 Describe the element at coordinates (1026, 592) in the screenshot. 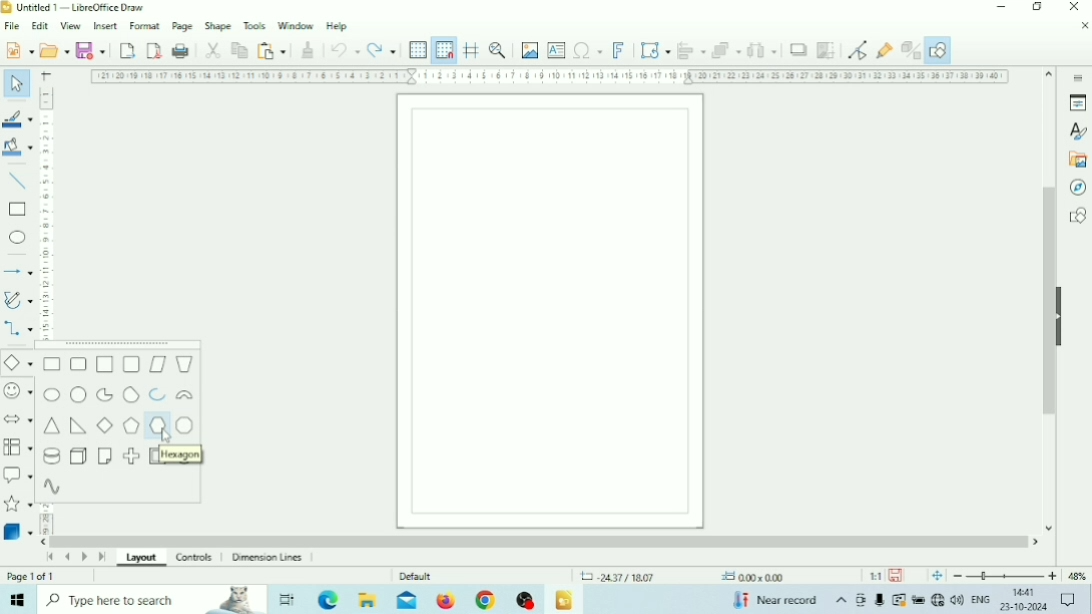

I see `Time` at that location.